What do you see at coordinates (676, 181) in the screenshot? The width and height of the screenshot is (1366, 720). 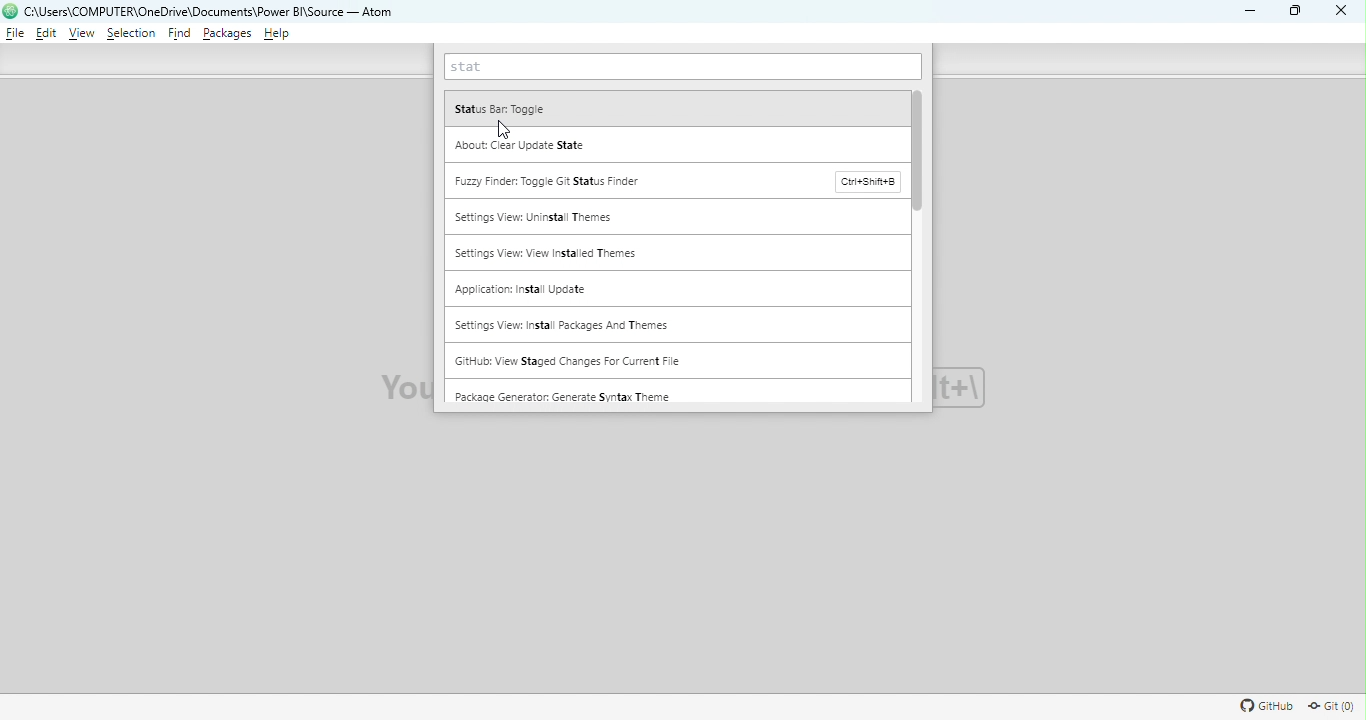 I see `Fuzzy Finder: Toggle Git Status finder` at bounding box center [676, 181].